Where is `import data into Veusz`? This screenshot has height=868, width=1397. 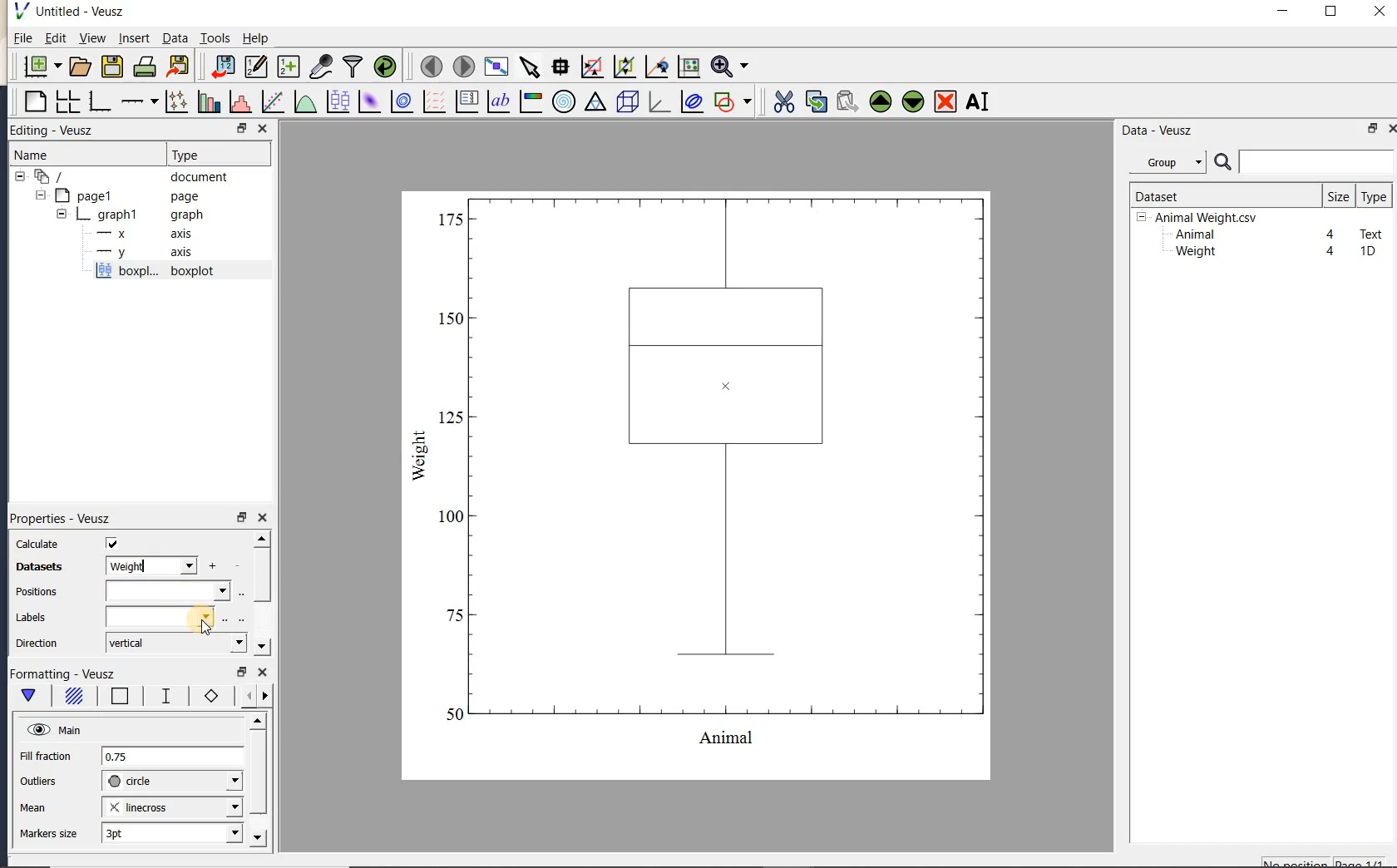 import data into Veusz is located at coordinates (223, 67).